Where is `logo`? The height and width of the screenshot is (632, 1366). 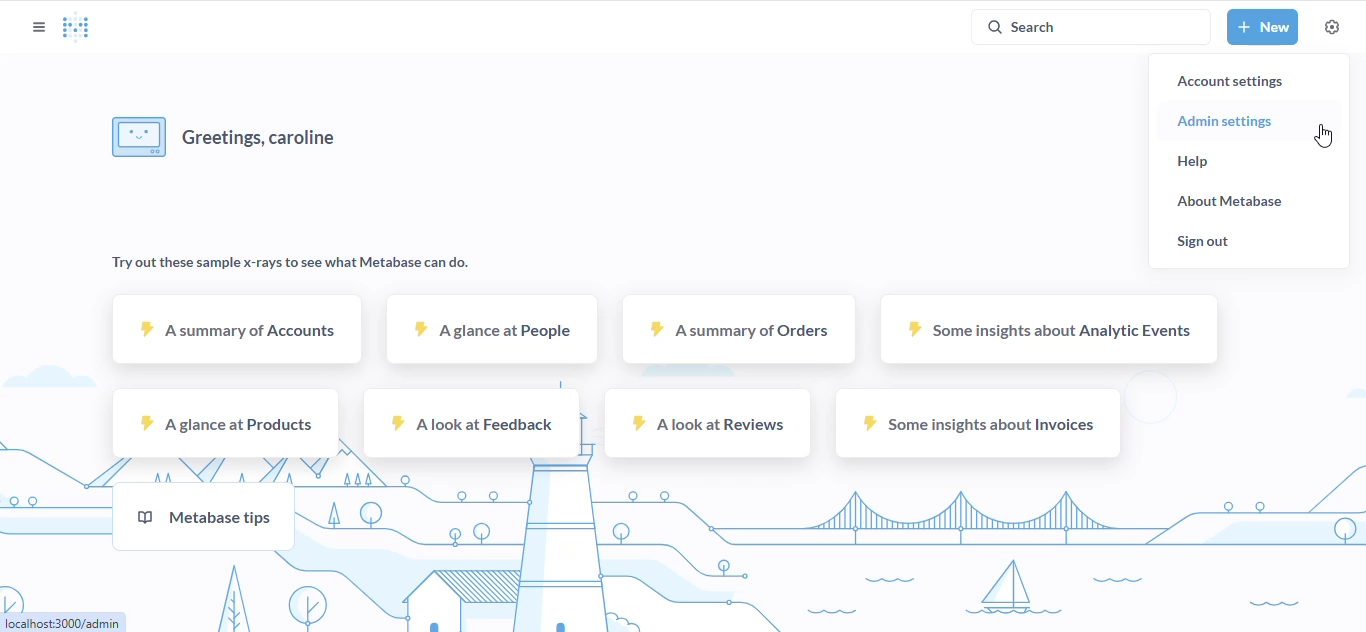
logo is located at coordinates (76, 25).